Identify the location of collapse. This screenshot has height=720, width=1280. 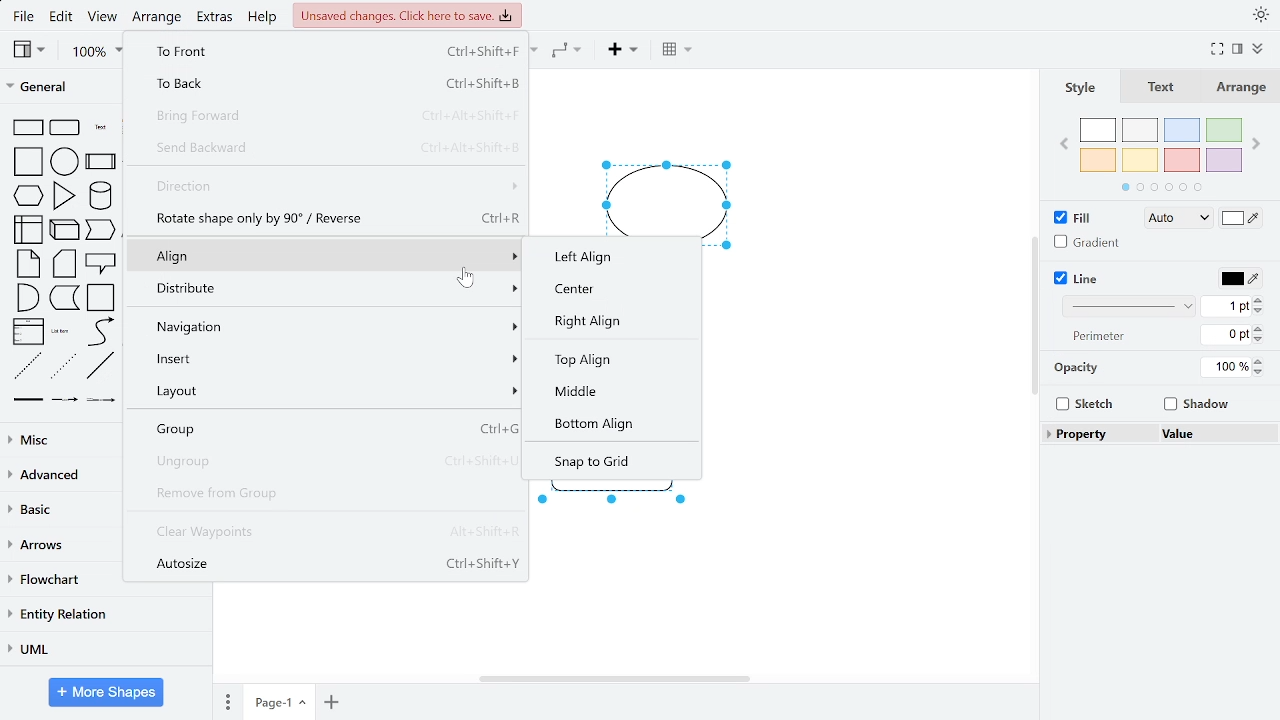
(1258, 49).